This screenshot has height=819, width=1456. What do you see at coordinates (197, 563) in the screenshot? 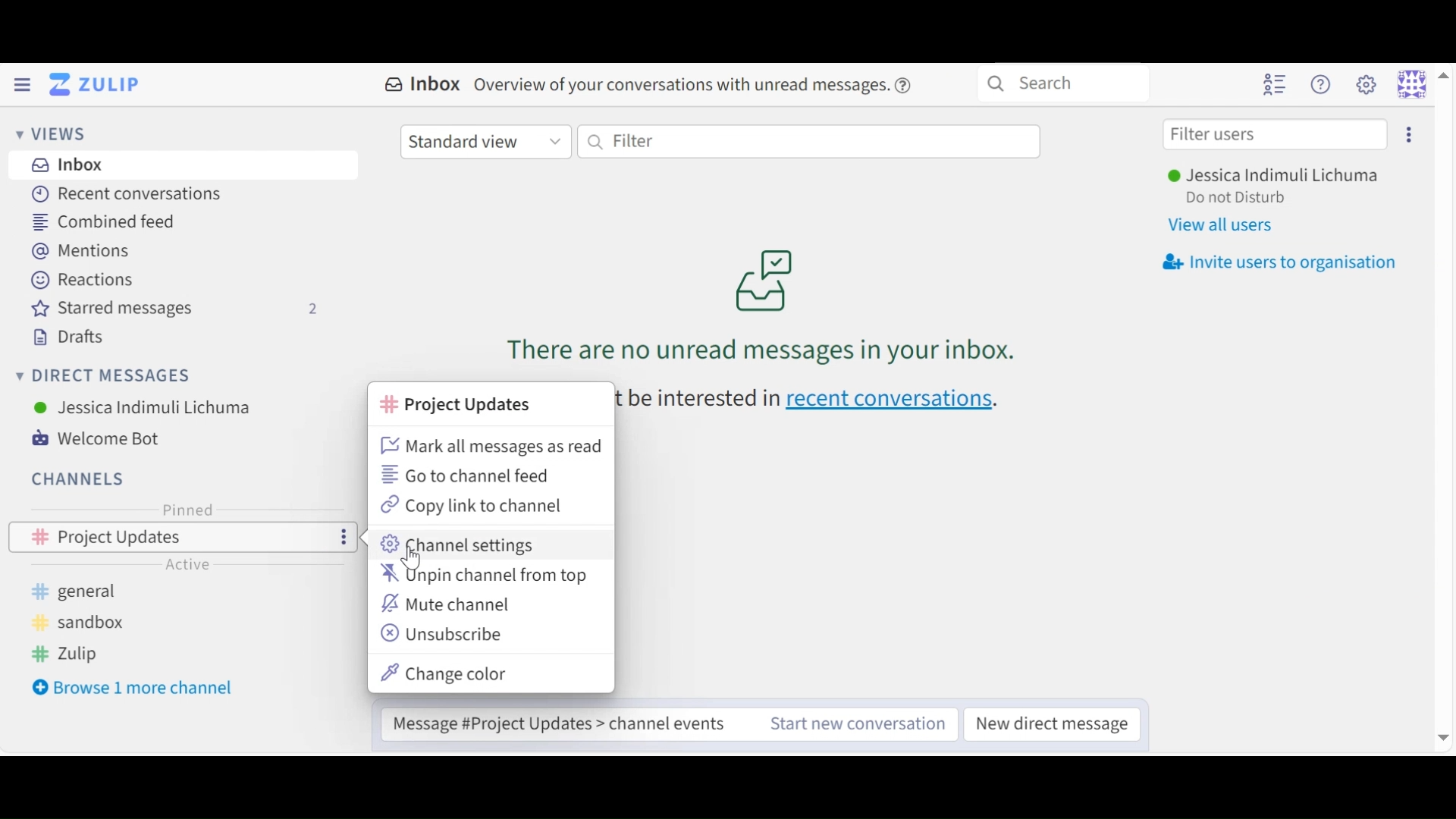
I see `Active` at bounding box center [197, 563].